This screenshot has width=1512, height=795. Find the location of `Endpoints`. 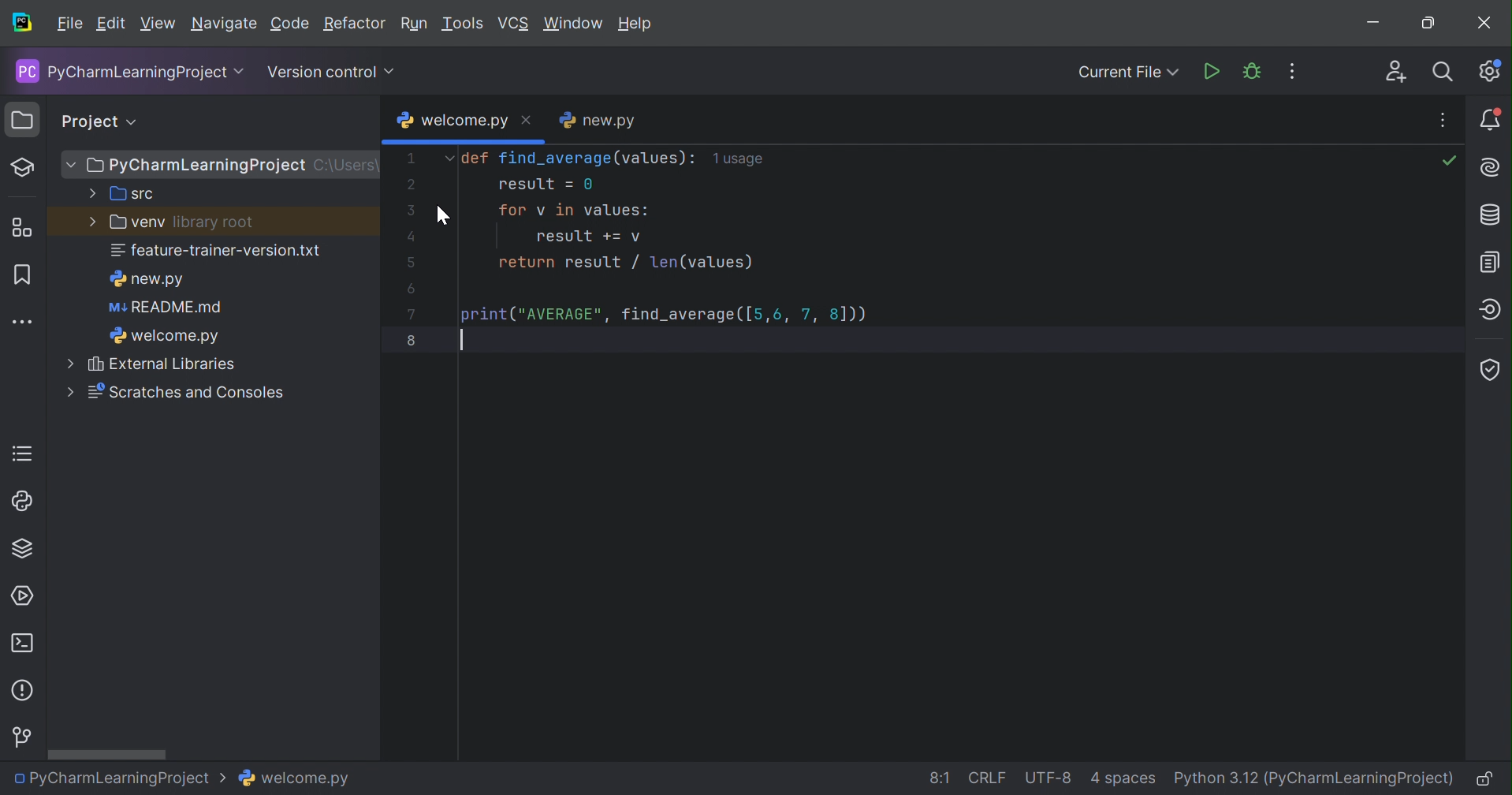

Endpoints is located at coordinates (1493, 310).